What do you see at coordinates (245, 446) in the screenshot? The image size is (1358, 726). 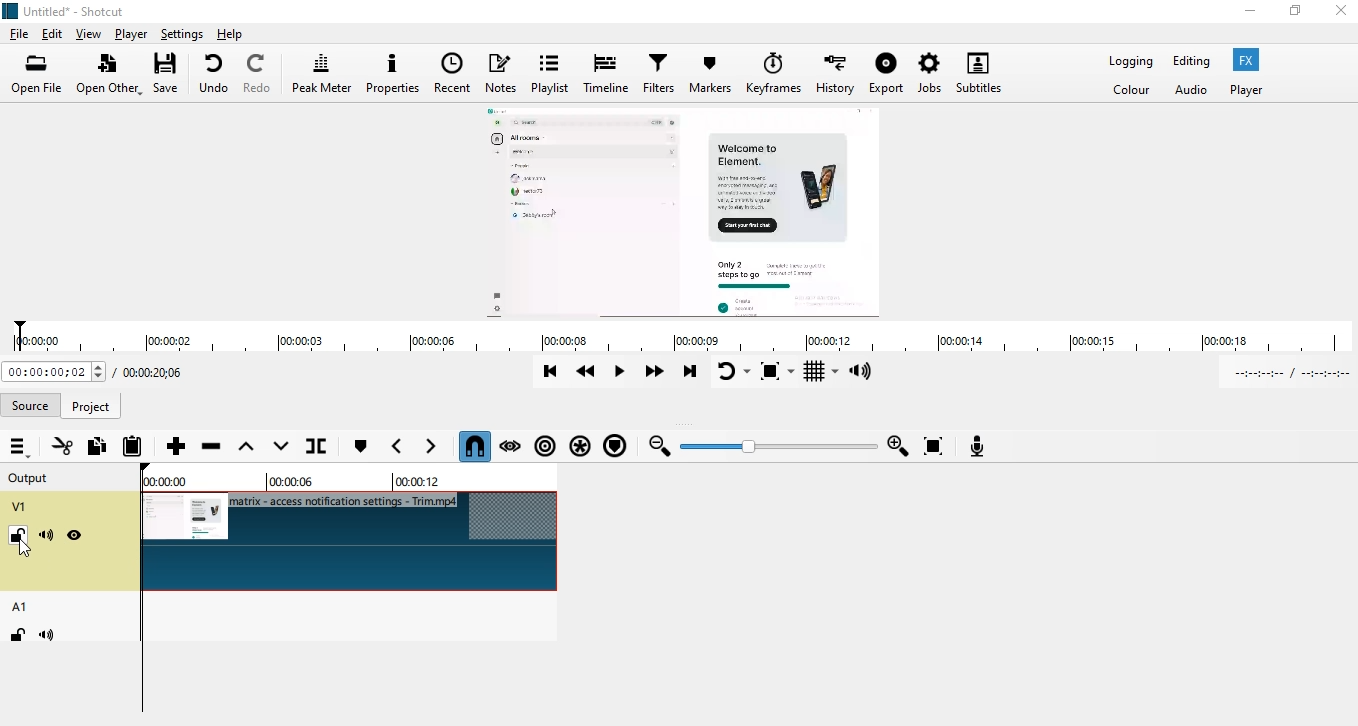 I see `Lift` at bounding box center [245, 446].